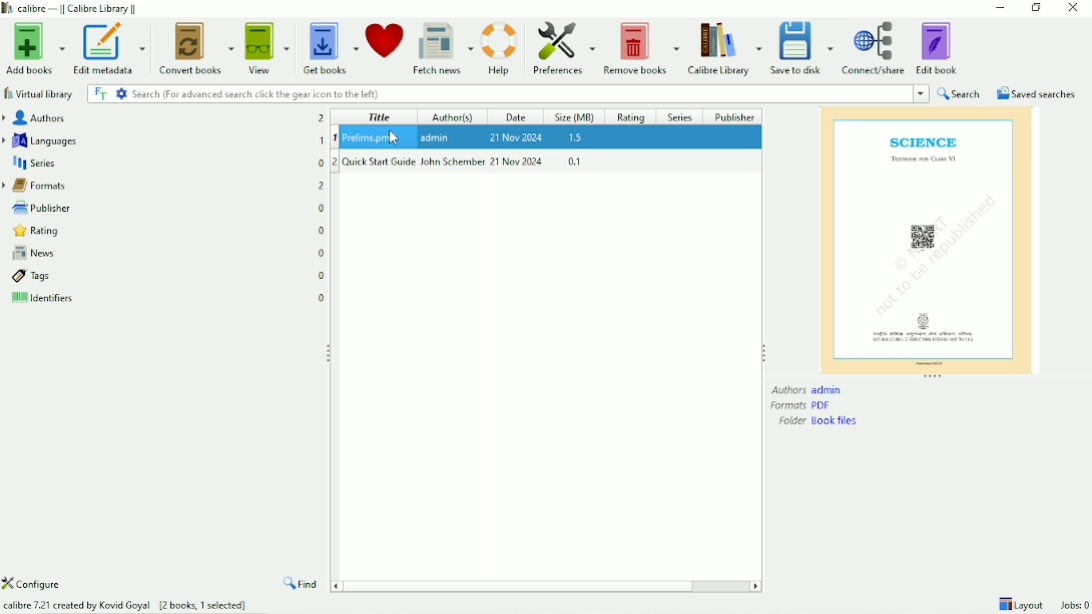  I want to click on View, so click(268, 48).